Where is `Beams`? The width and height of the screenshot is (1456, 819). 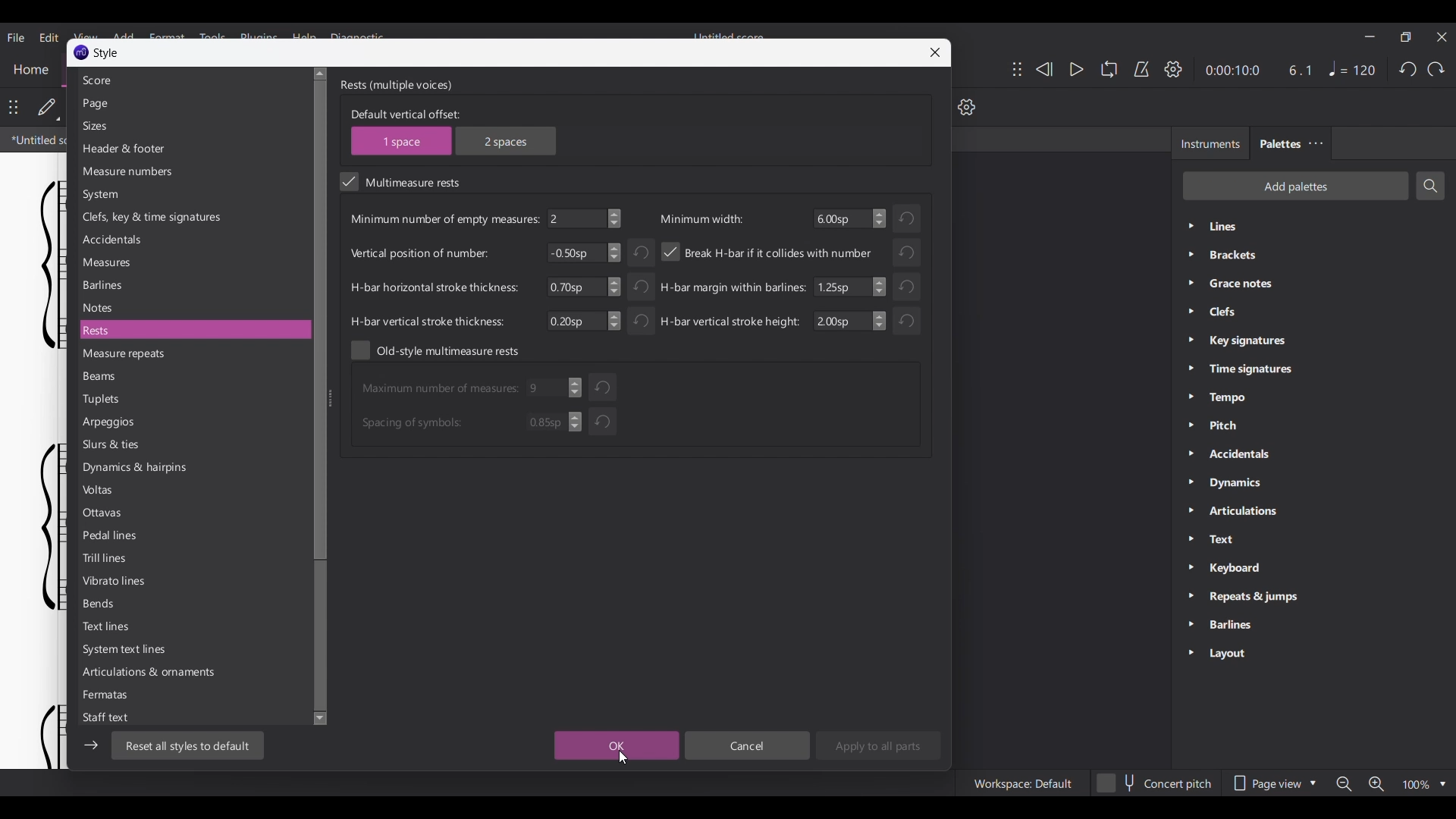 Beams is located at coordinates (193, 377).